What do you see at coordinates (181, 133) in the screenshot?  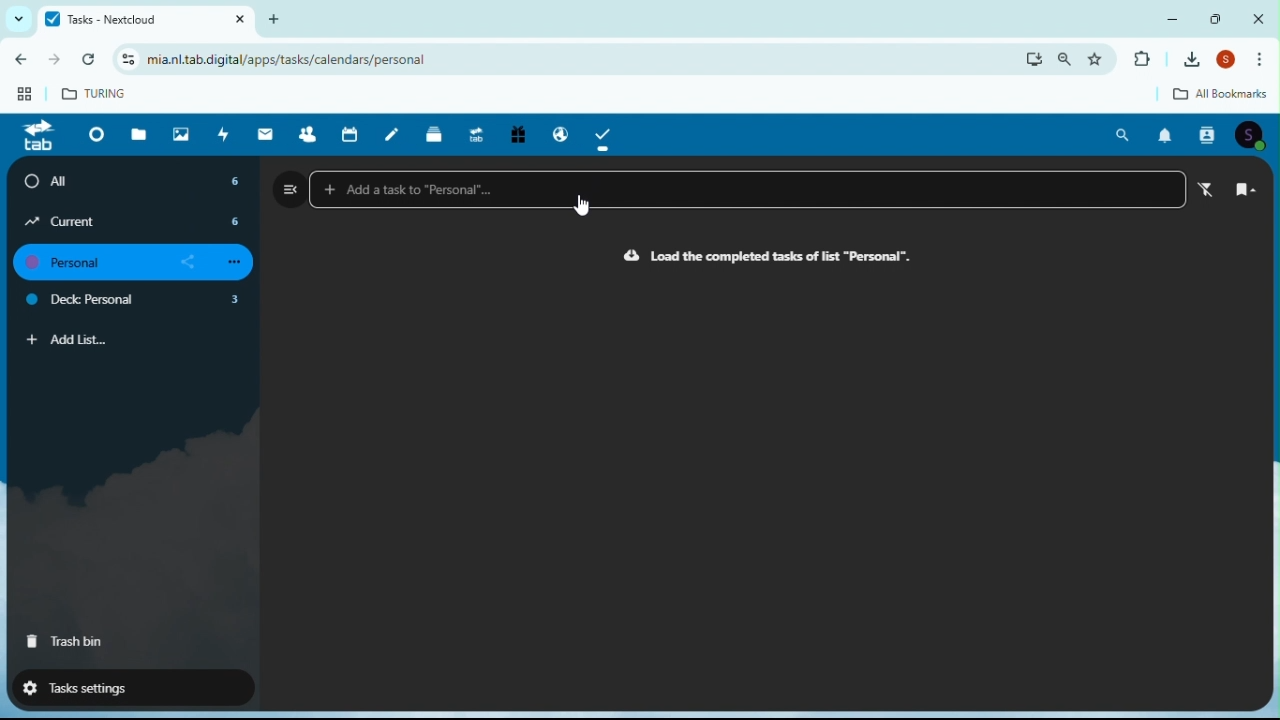 I see `Photos` at bounding box center [181, 133].